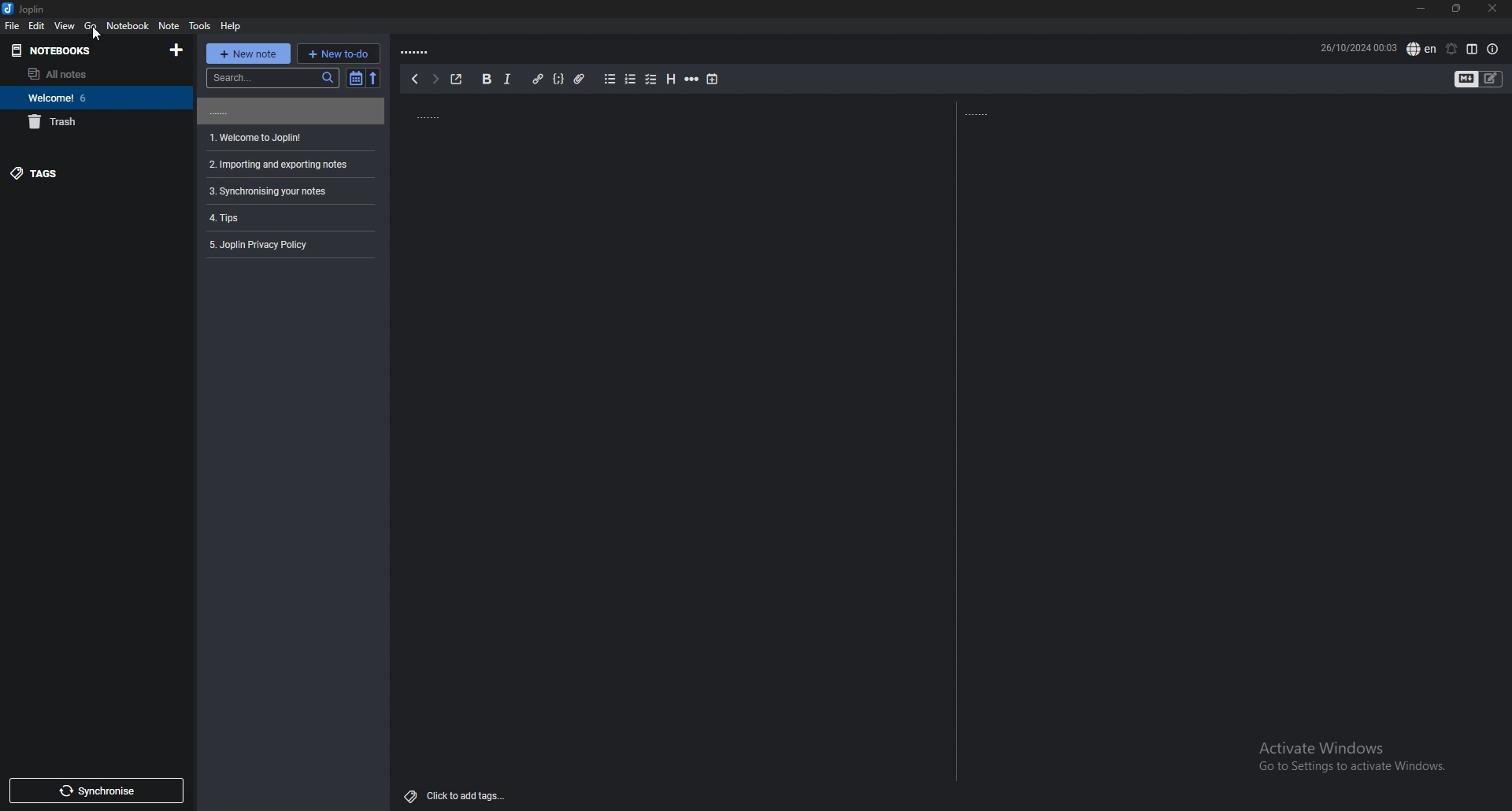 The height and width of the screenshot is (811, 1512). What do you see at coordinates (508, 79) in the screenshot?
I see `italic` at bounding box center [508, 79].